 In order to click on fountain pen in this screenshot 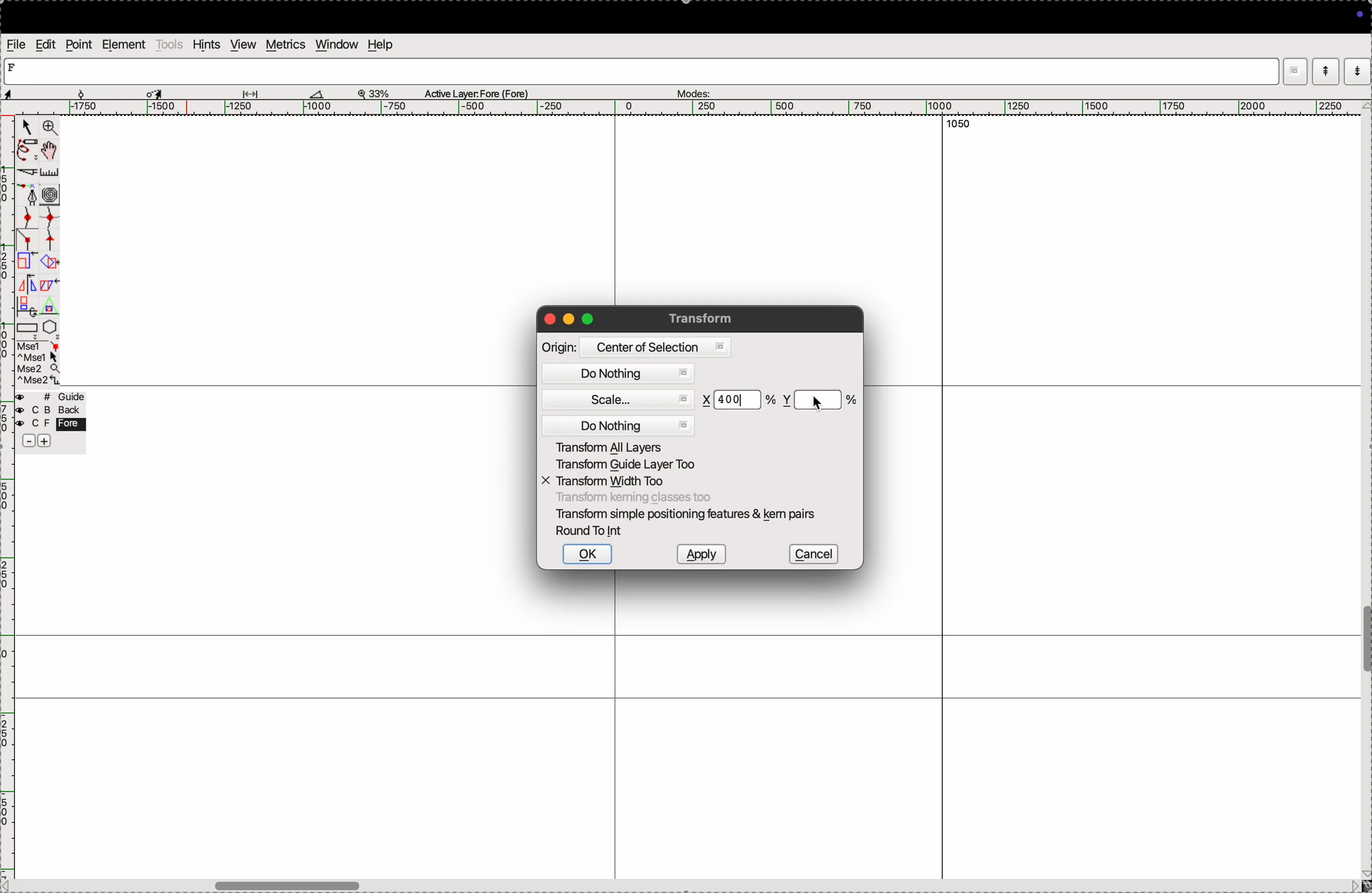, I will do `click(32, 196)`.